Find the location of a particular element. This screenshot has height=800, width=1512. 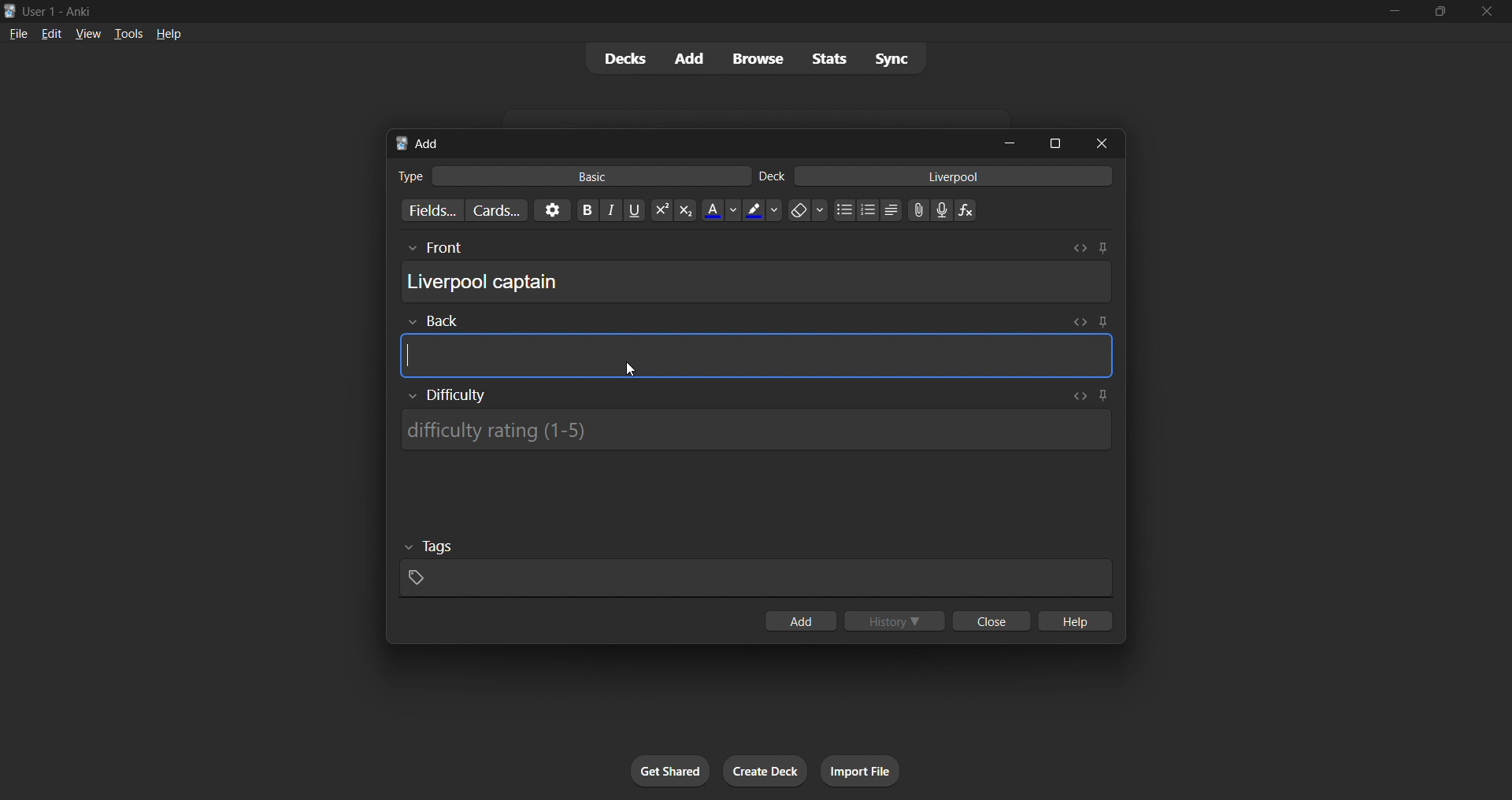

Text highlighting color is located at coordinates (762, 210).